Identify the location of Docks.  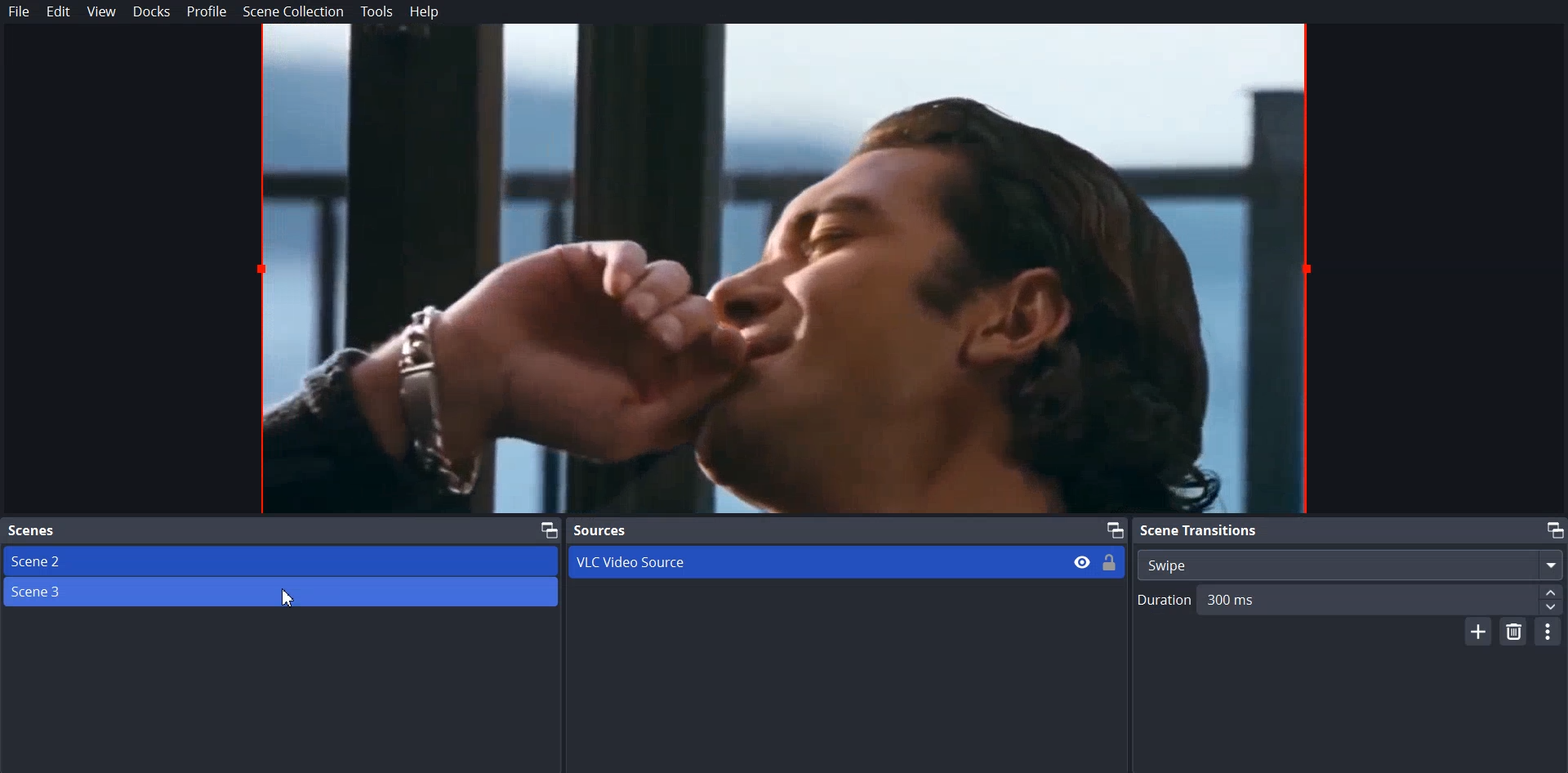
(151, 12).